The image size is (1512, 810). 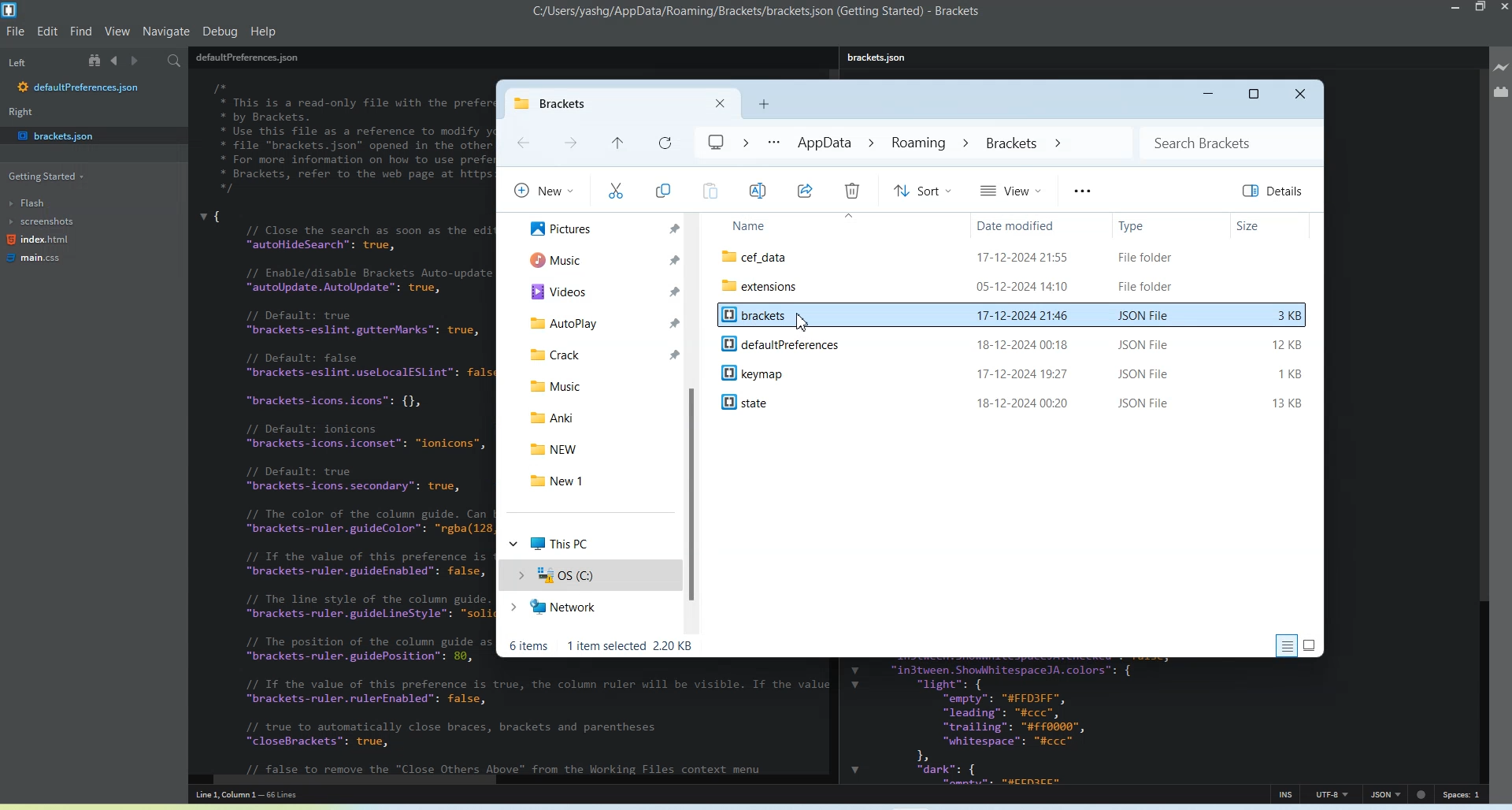 What do you see at coordinates (882, 143) in the screenshot?
I see `File Path Address` at bounding box center [882, 143].